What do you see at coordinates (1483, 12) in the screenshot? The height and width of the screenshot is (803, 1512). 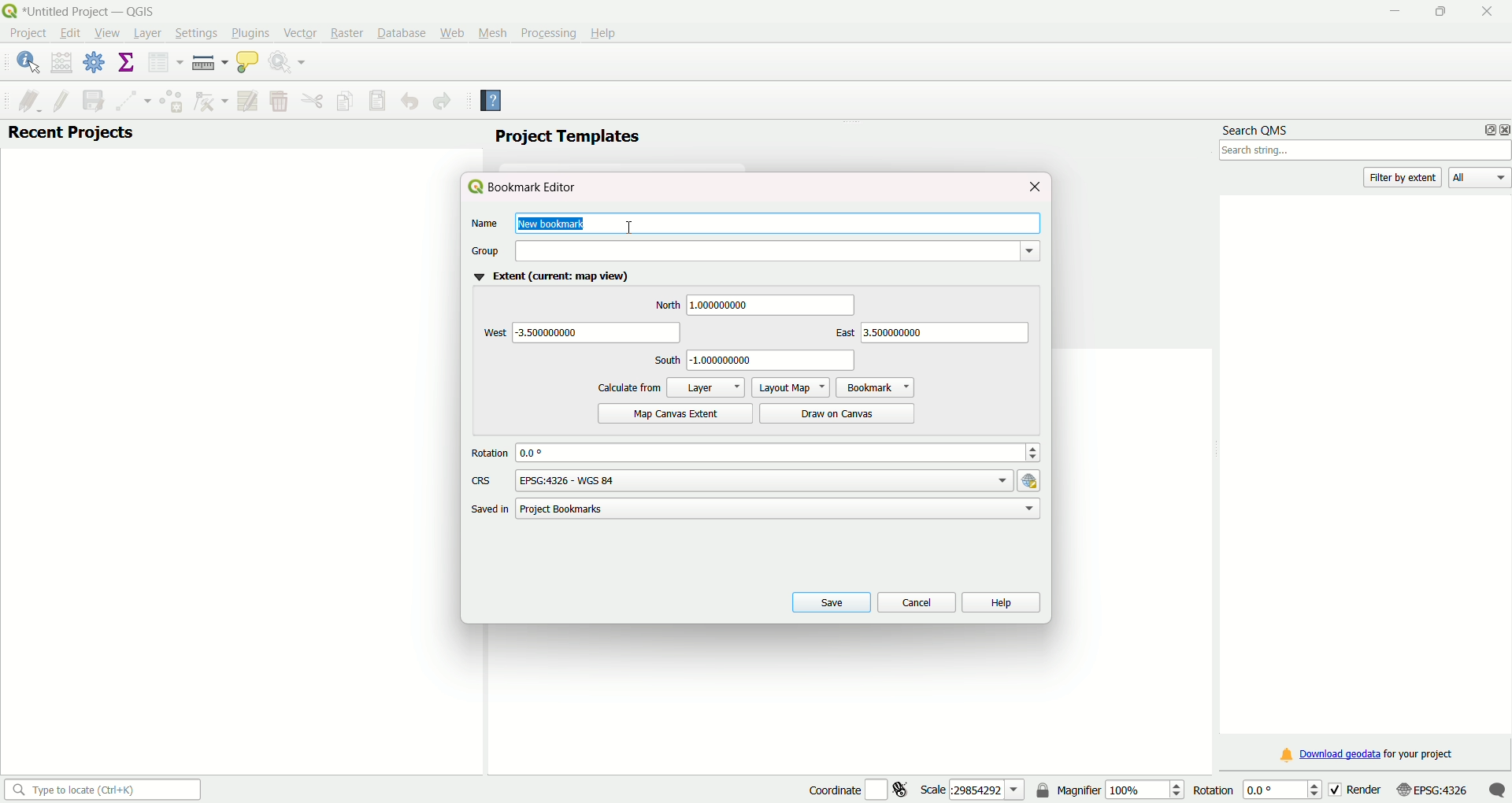 I see `Close` at bounding box center [1483, 12].